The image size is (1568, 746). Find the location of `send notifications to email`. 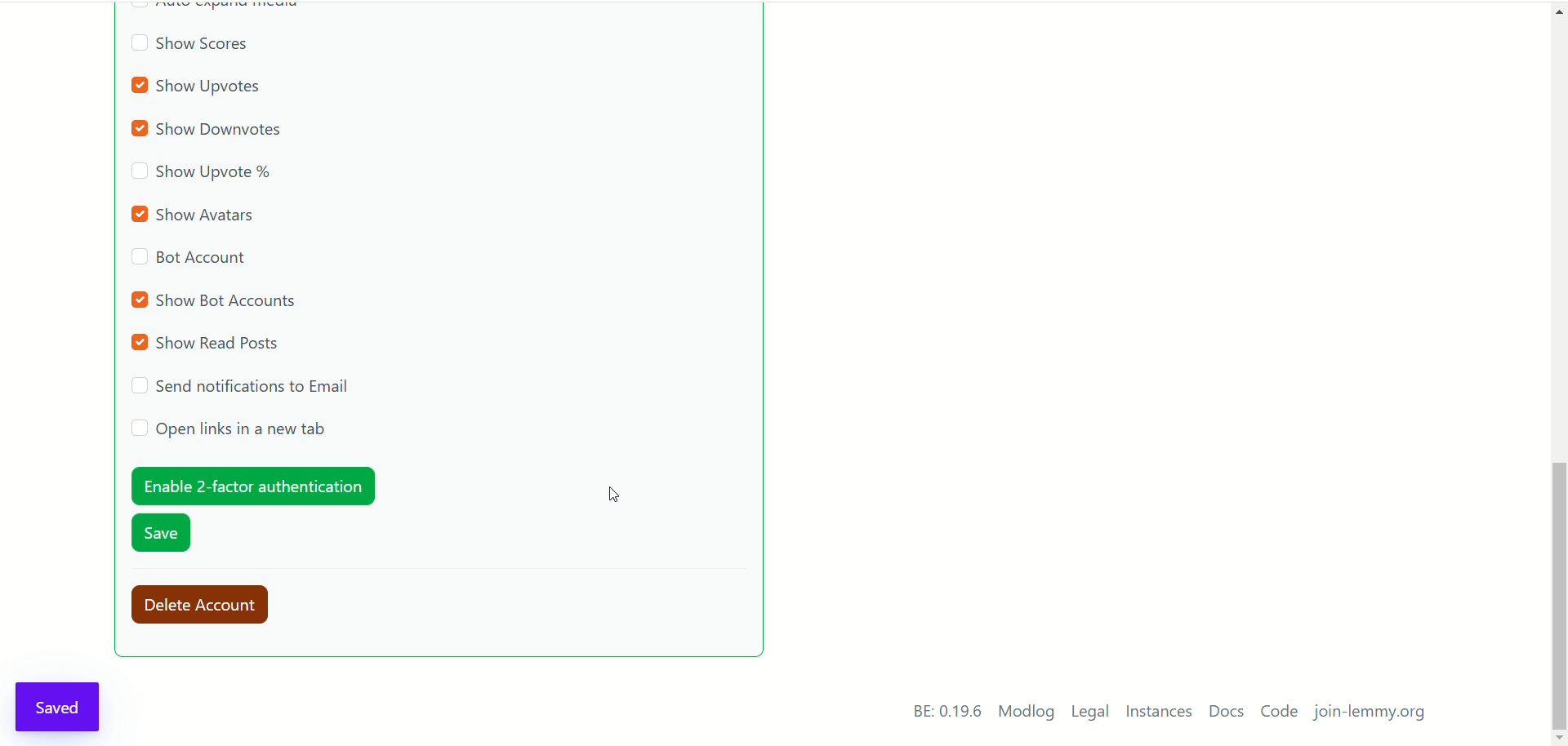

send notifications to email is located at coordinates (244, 386).